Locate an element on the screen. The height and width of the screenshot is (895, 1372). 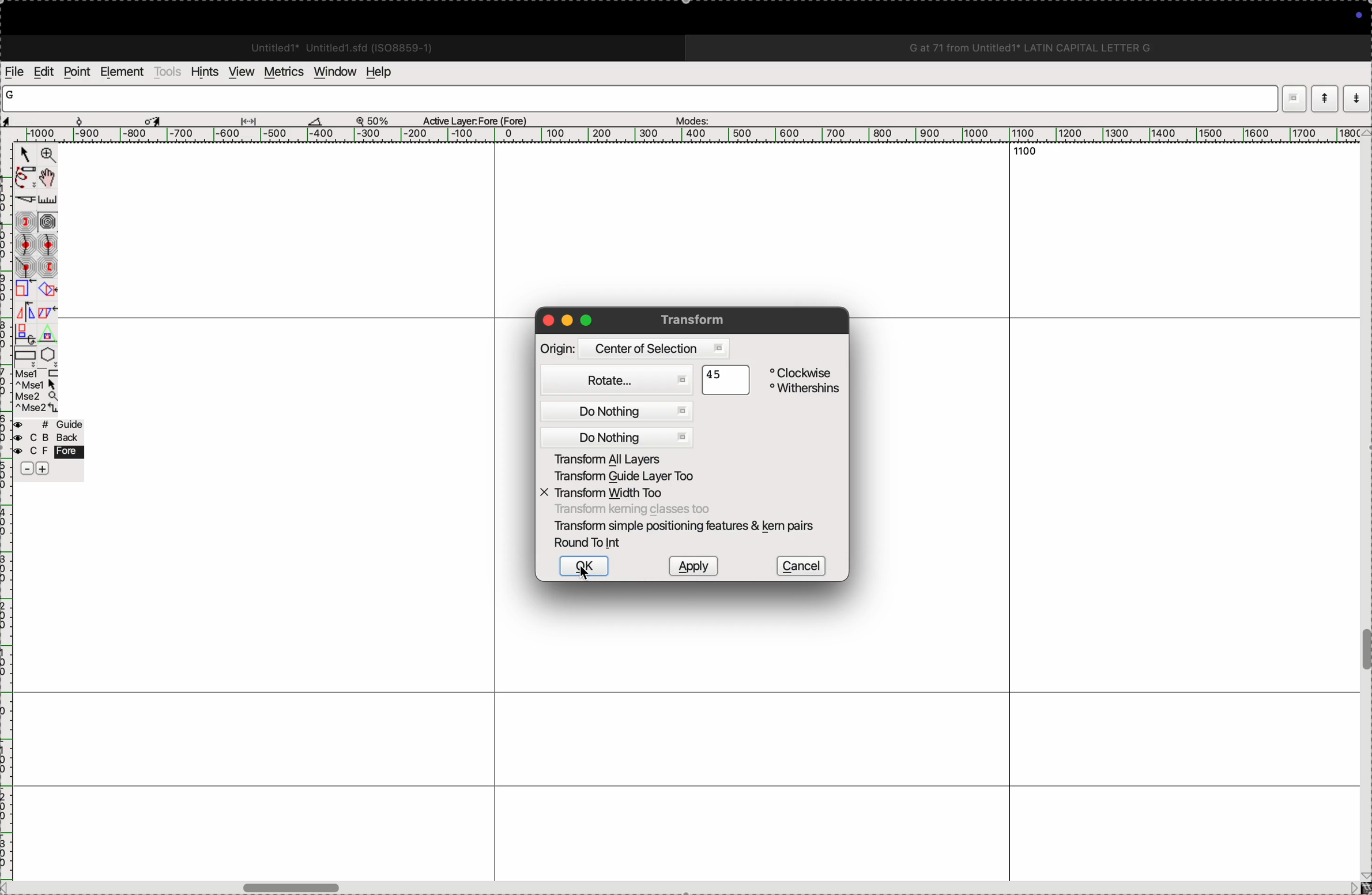
cursor is located at coordinates (584, 577).